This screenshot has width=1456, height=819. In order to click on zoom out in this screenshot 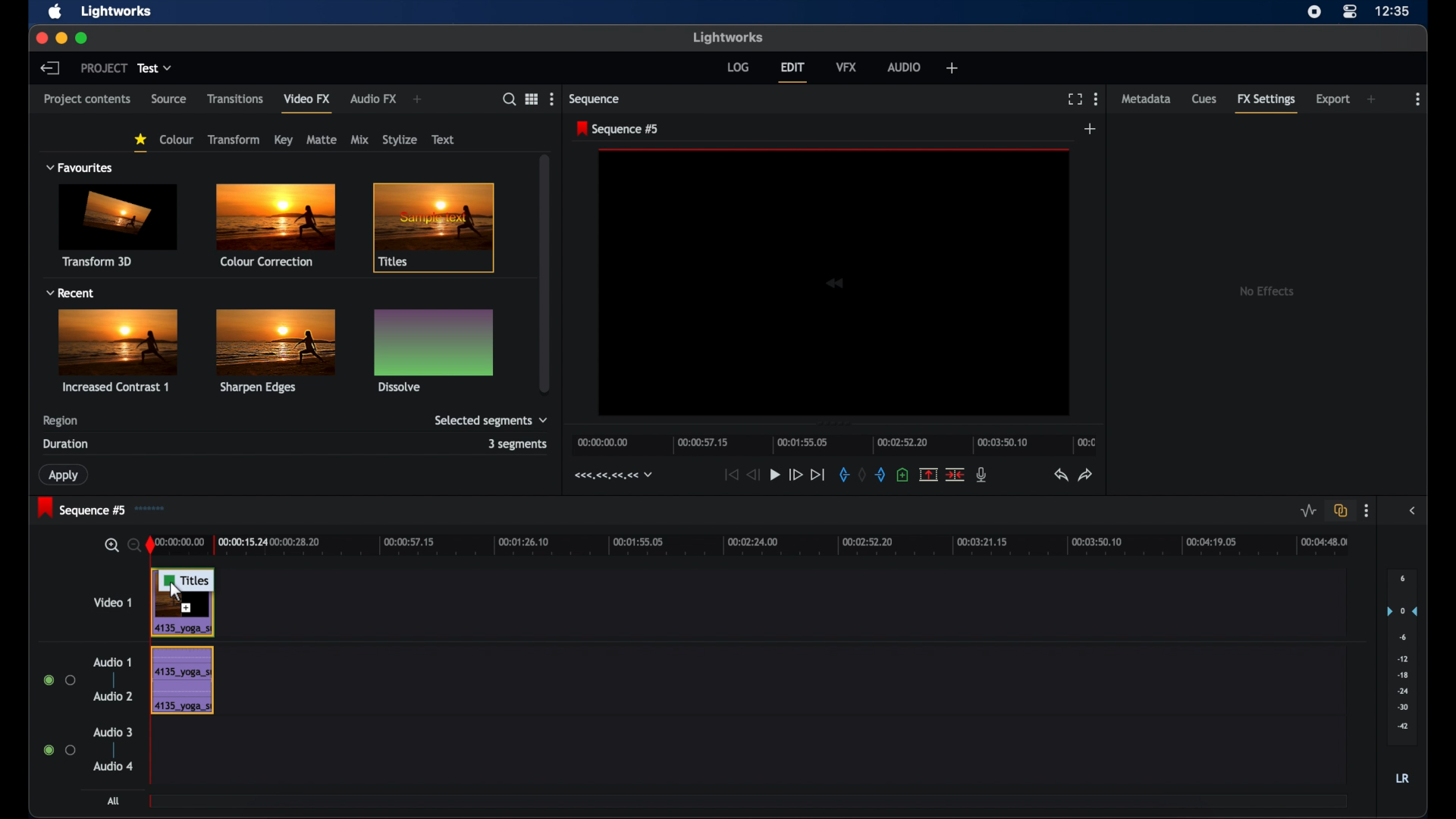, I will do `click(133, 544)`.